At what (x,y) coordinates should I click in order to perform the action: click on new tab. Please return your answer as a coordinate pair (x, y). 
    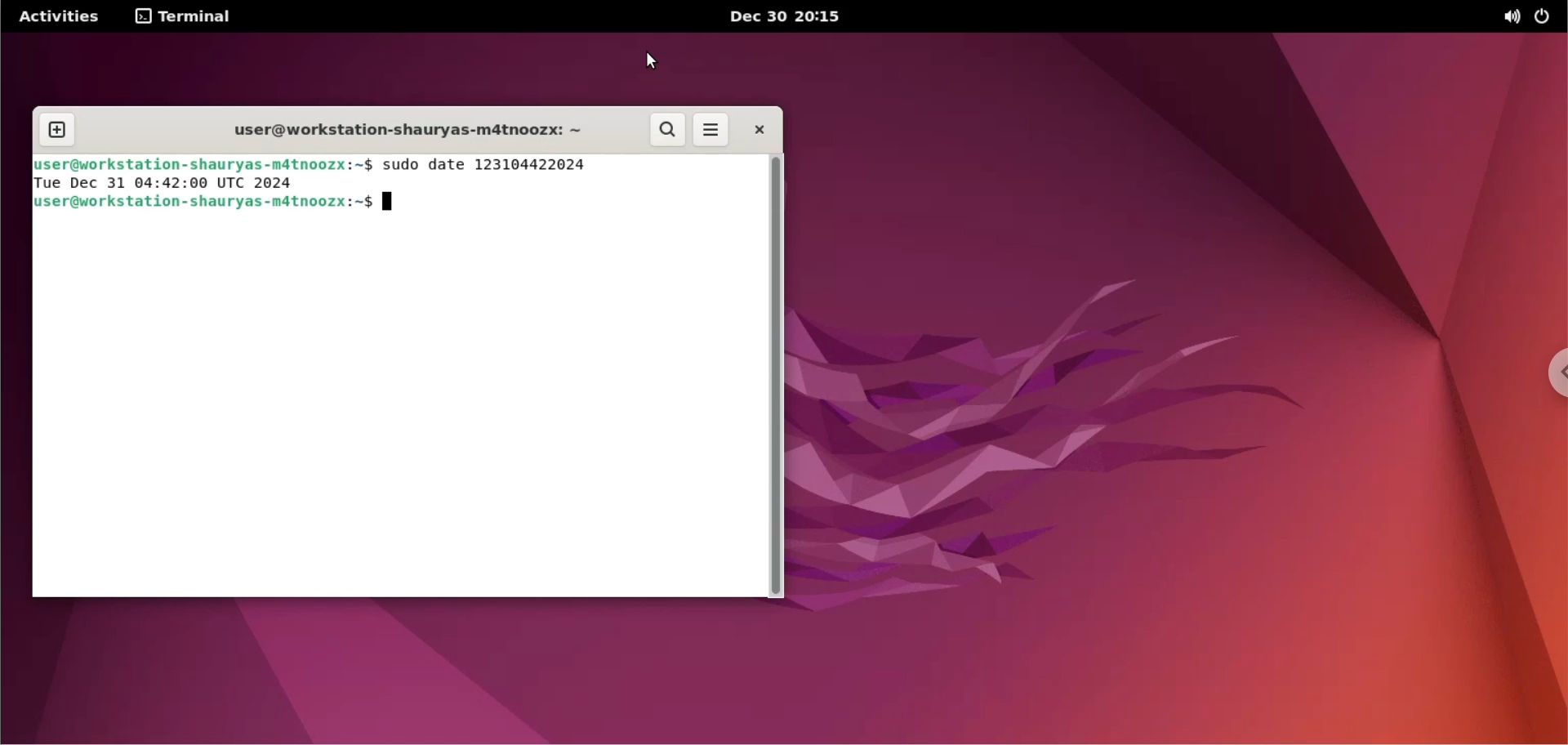
    Looking at the image, I should click on (56, 131).